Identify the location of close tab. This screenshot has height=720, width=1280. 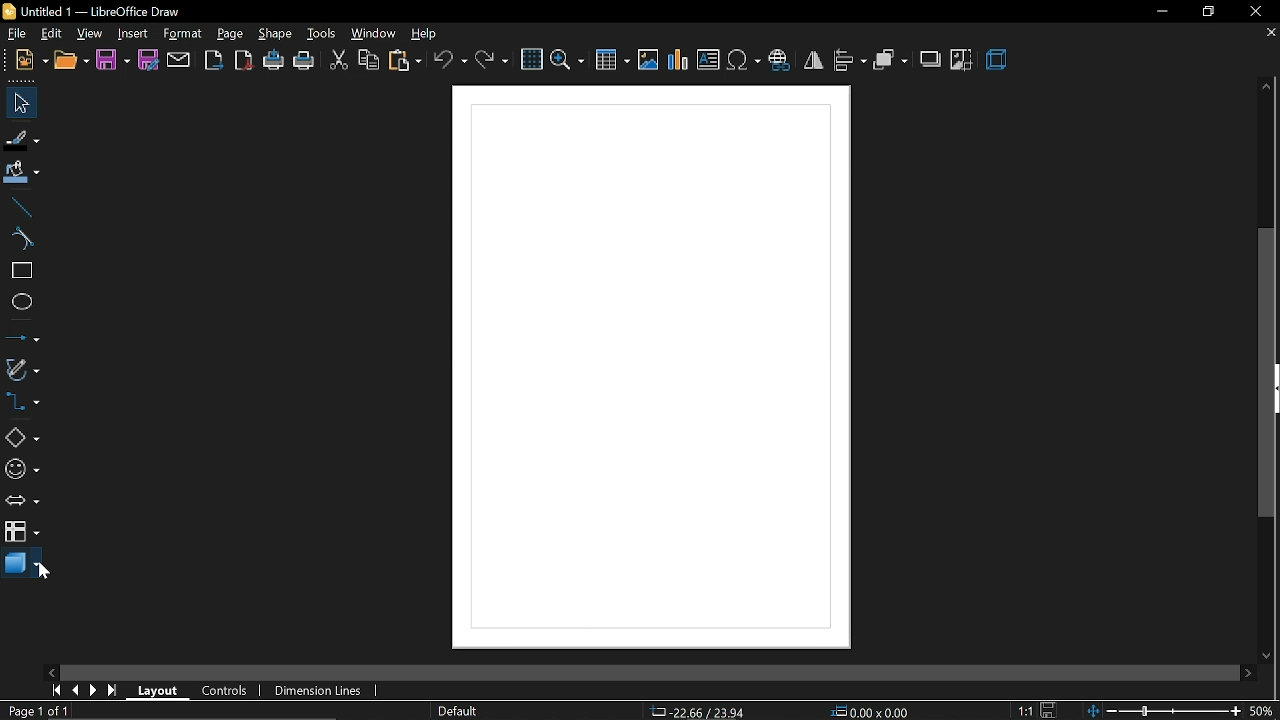
(1268, 33).